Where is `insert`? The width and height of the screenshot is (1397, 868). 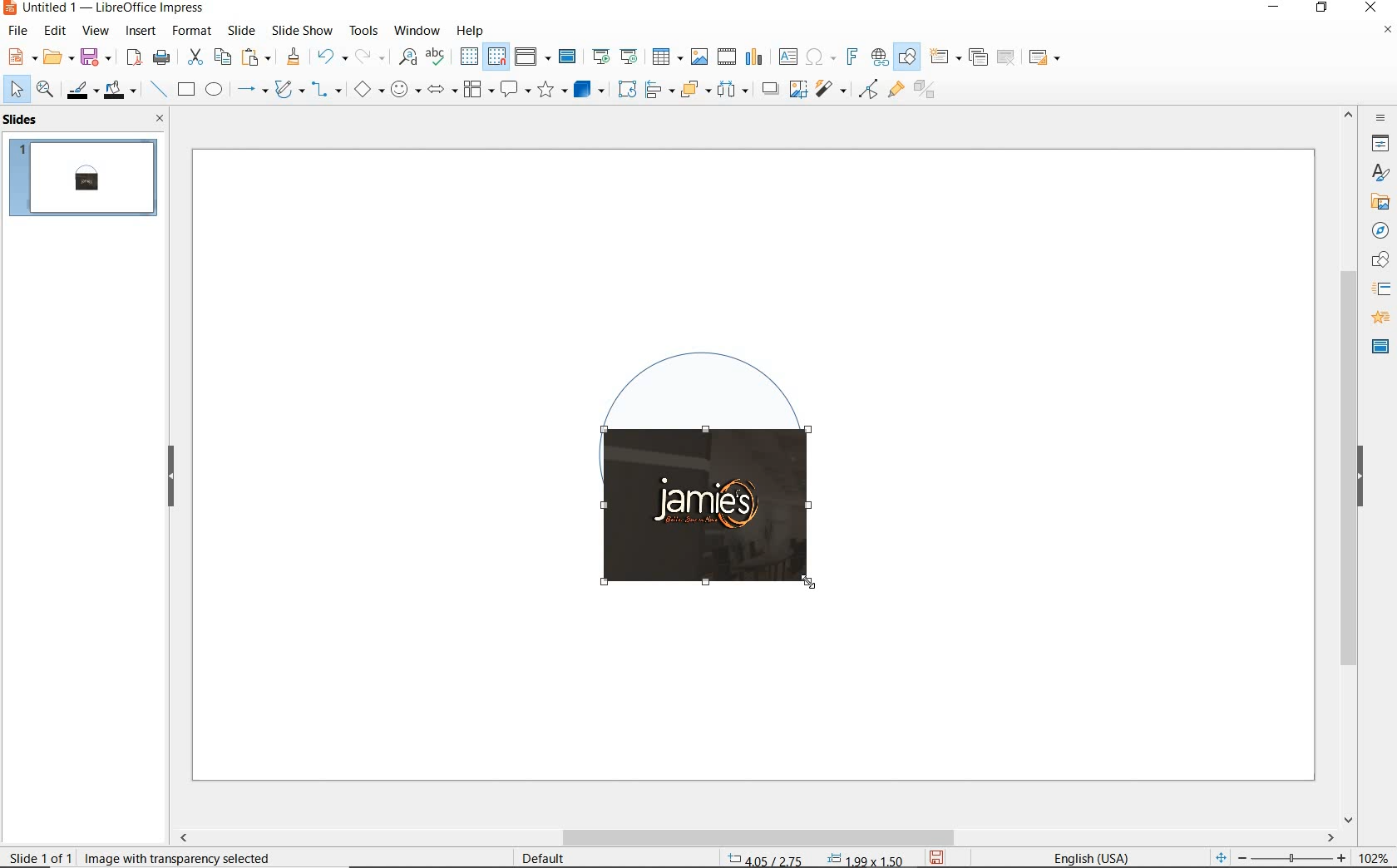
insert is located at coordinates (141, 32).